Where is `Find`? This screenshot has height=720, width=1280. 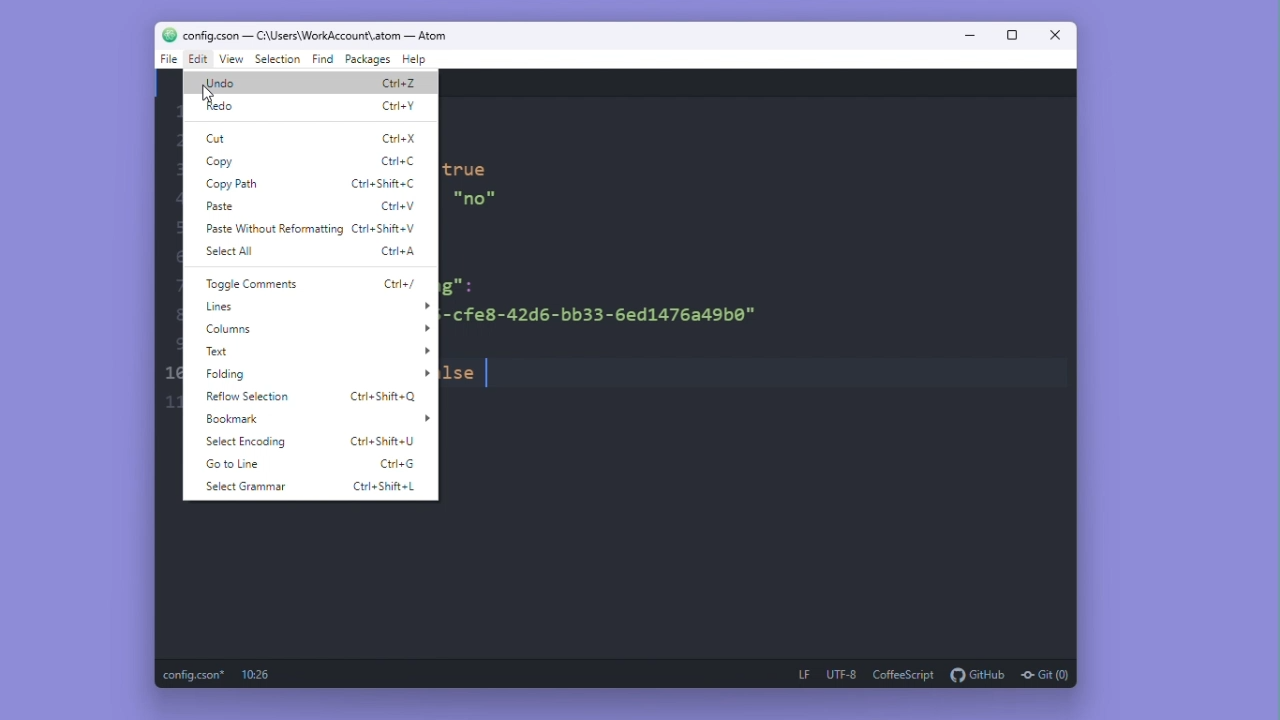 Find is located at coordinates (322, 59).